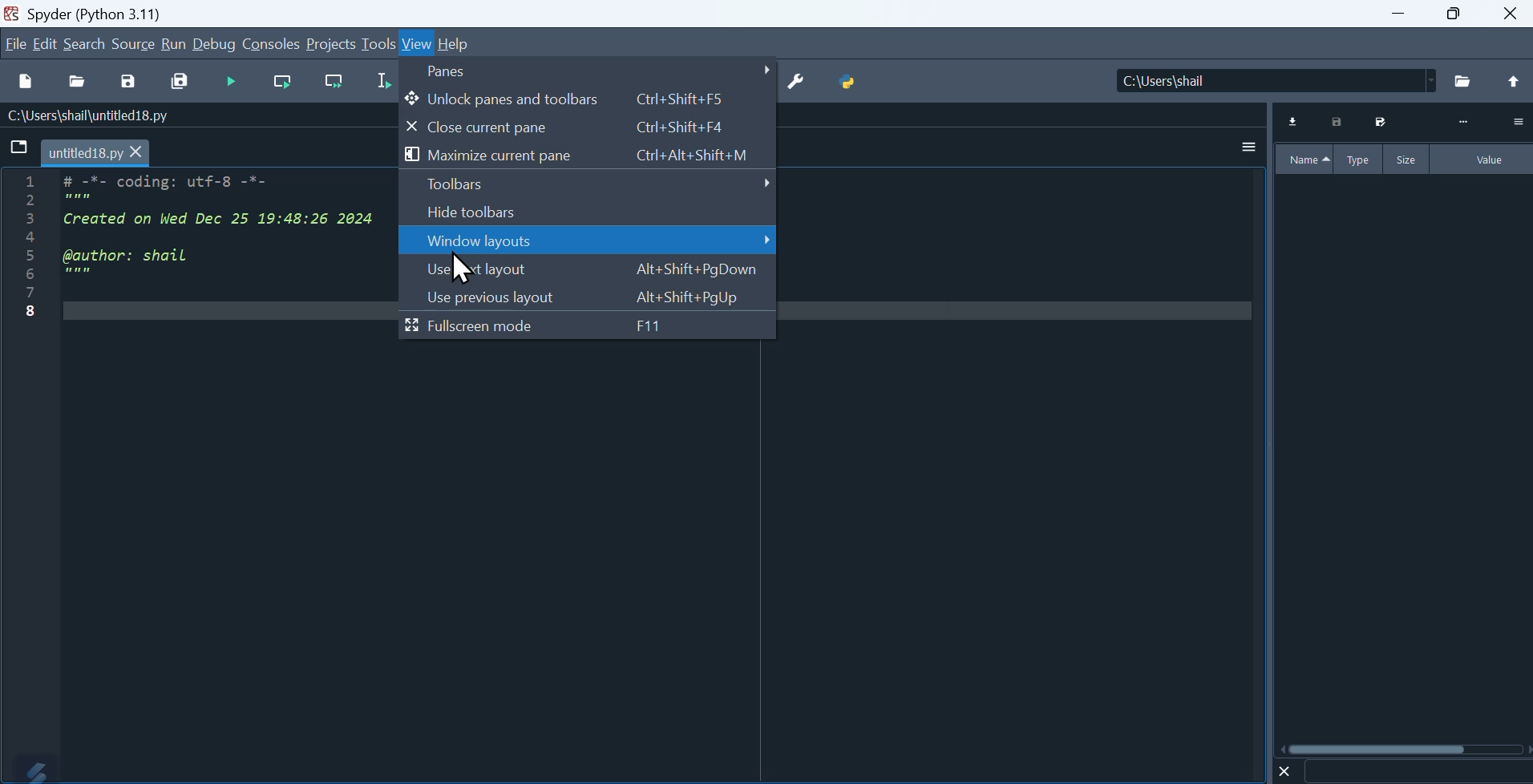 This screenshot has height=784, width=1533. Describe the element at coordinates (588, 326) in the screenshot. I see `Full screen mode` at that location.